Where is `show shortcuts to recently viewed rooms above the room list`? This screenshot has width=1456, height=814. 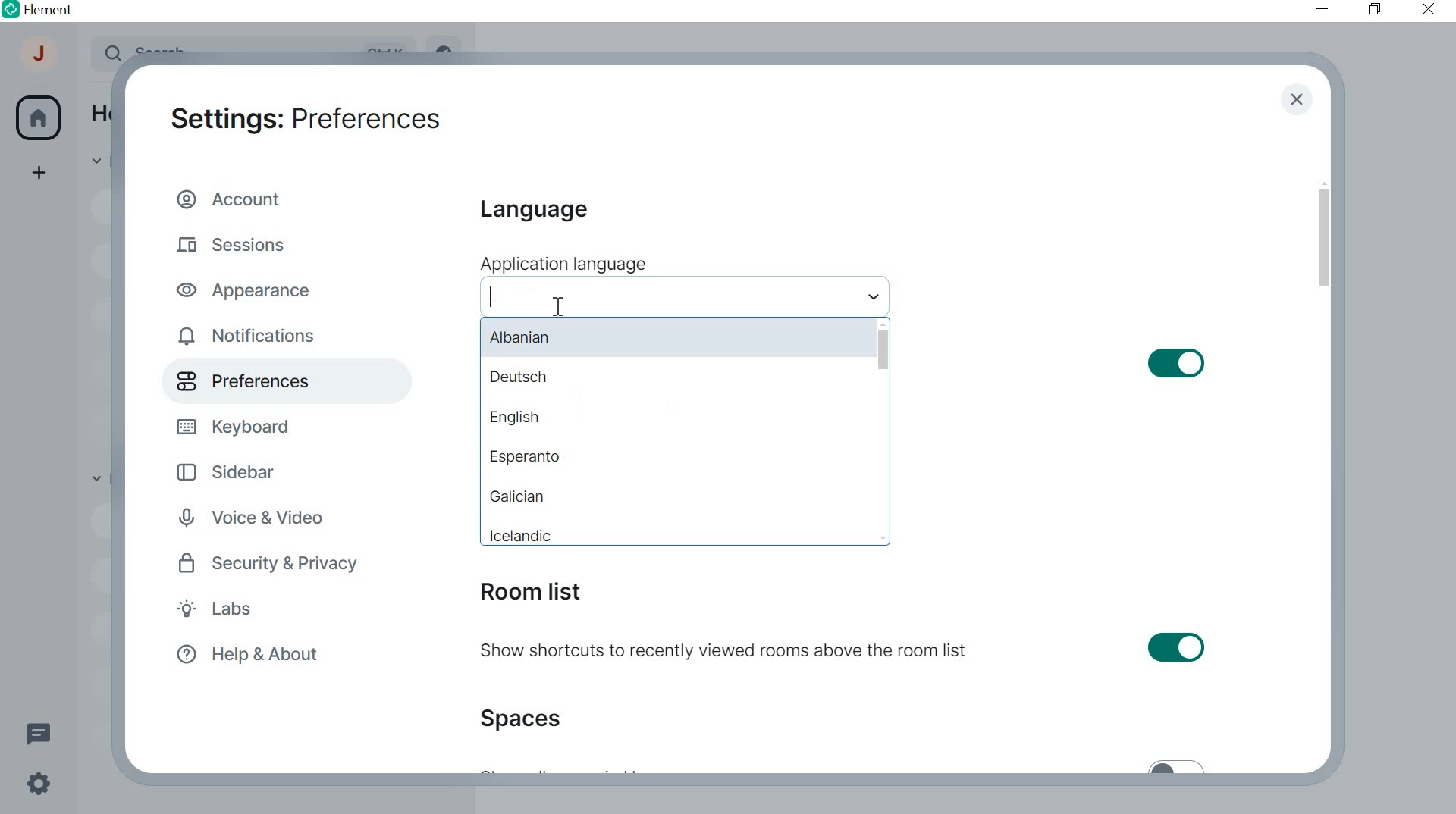 show shortcuts to recently viewed rooms above the room list is located at coordinates (845, 650).